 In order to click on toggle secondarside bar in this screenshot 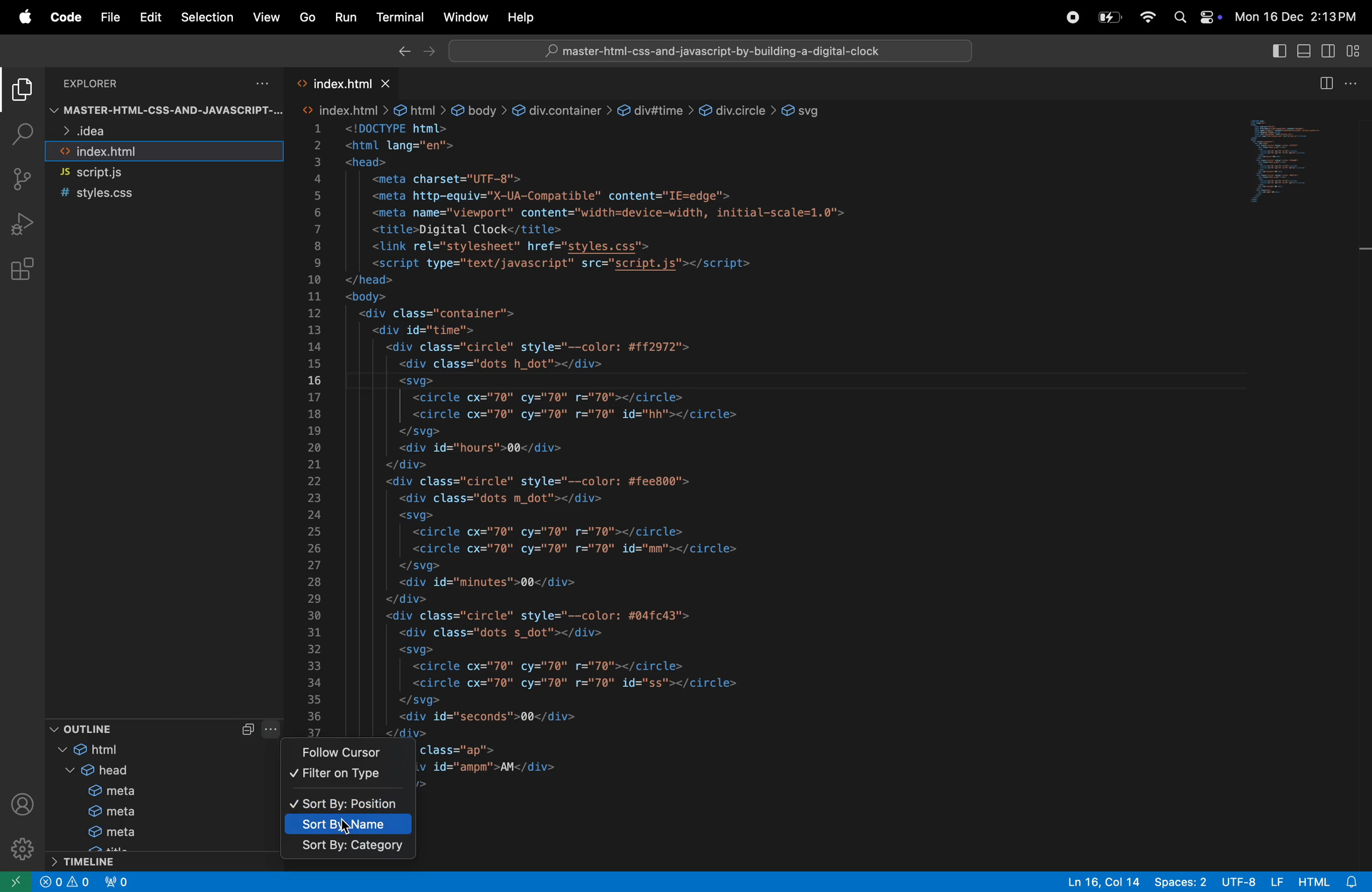, I will do `click(1333, 52)`.